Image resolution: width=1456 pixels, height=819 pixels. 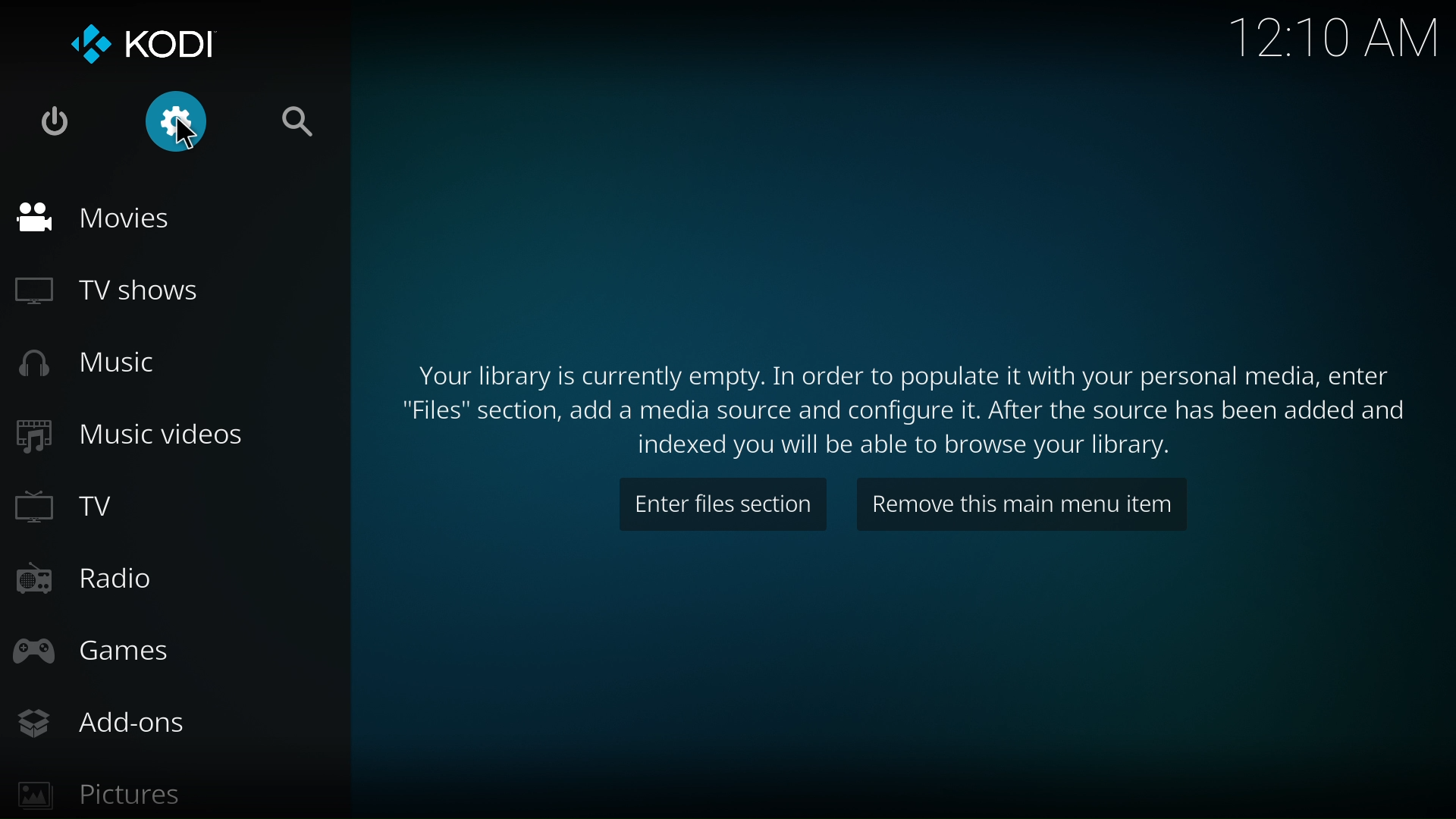 What do you see at coordinates (719, 508) in the screenshot?
I see `enter file section` at bounding box center [719, 508].